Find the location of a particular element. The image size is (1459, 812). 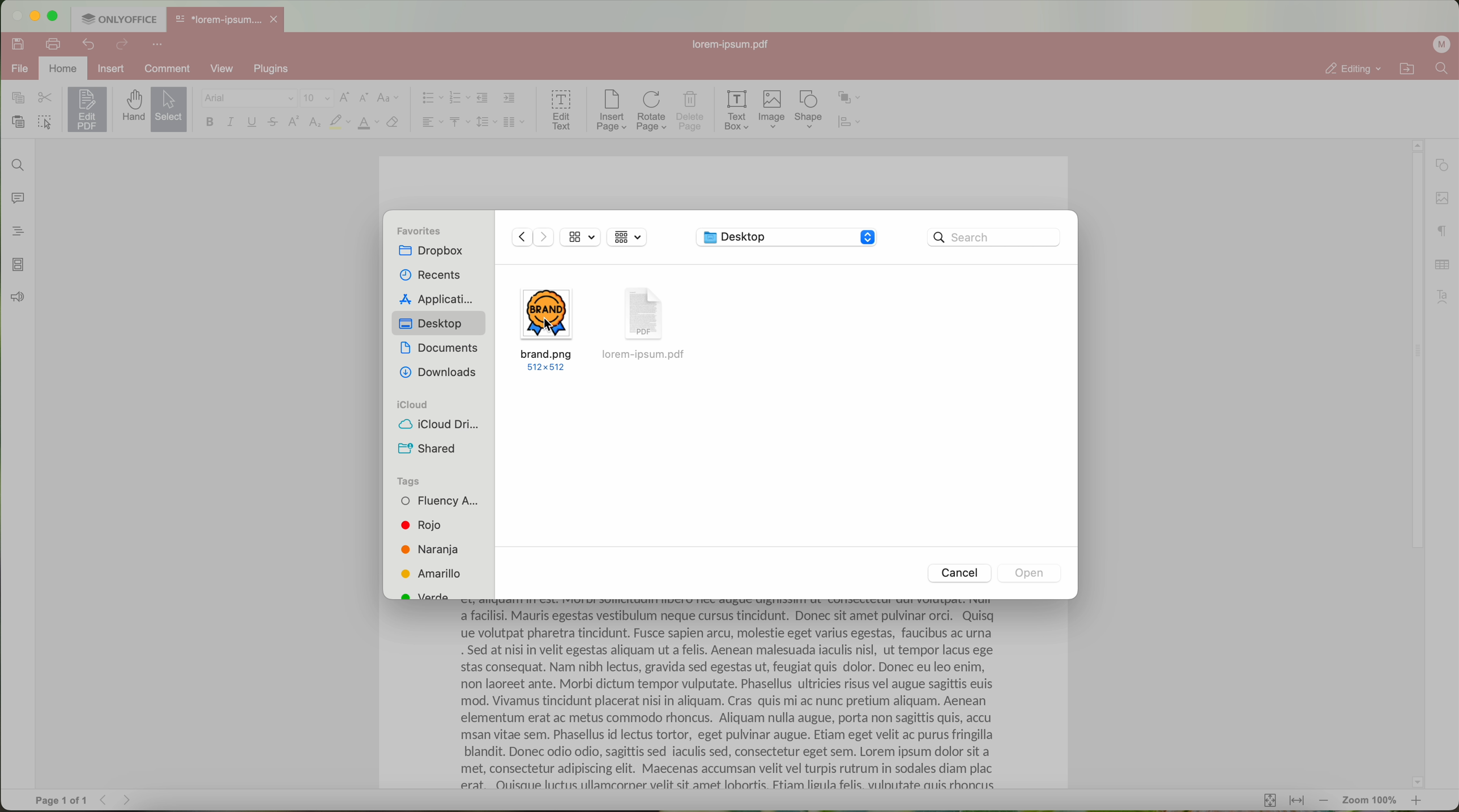

save is located at coordinates (15, 43).